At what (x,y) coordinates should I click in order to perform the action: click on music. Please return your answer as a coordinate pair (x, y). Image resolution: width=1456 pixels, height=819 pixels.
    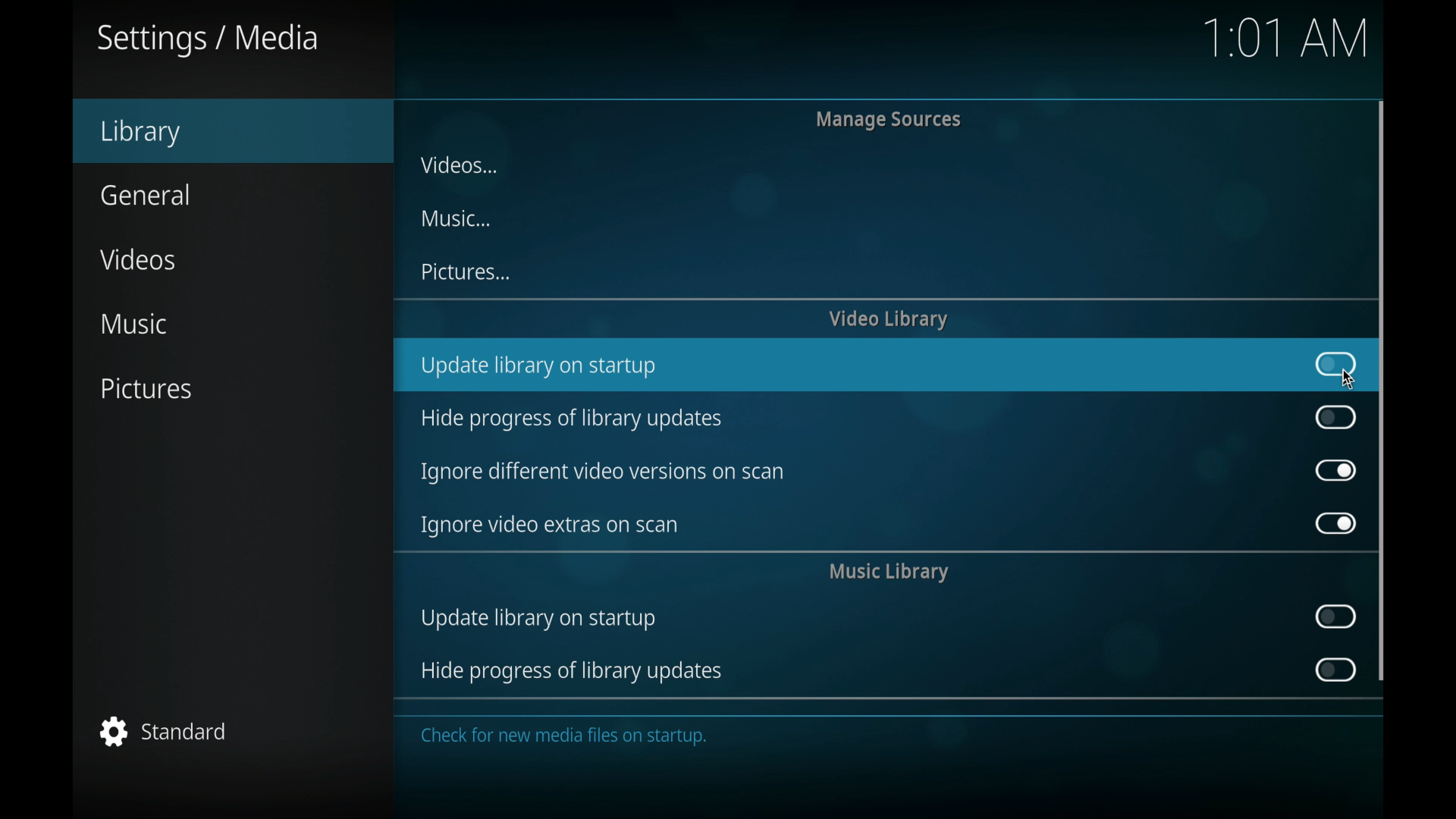
    Looking at the image, I should click on (133, 325).